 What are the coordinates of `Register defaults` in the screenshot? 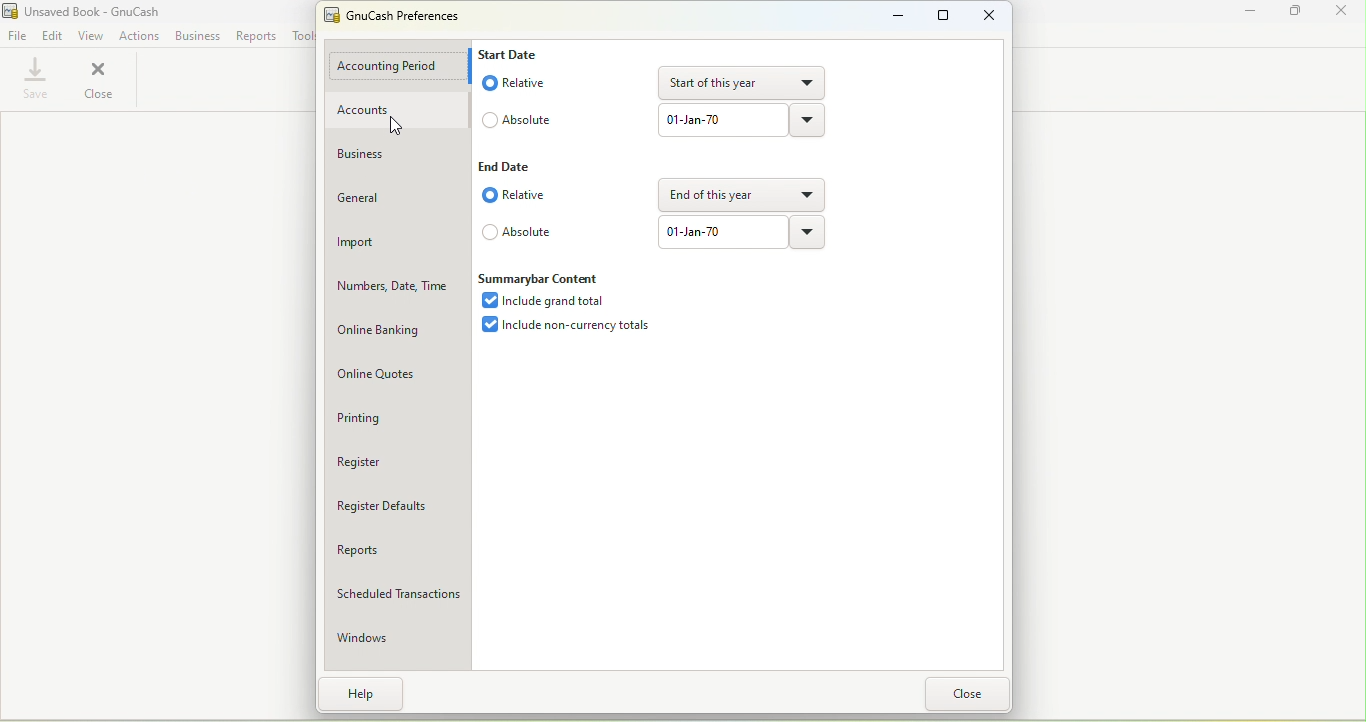 It's located at (396, 504).